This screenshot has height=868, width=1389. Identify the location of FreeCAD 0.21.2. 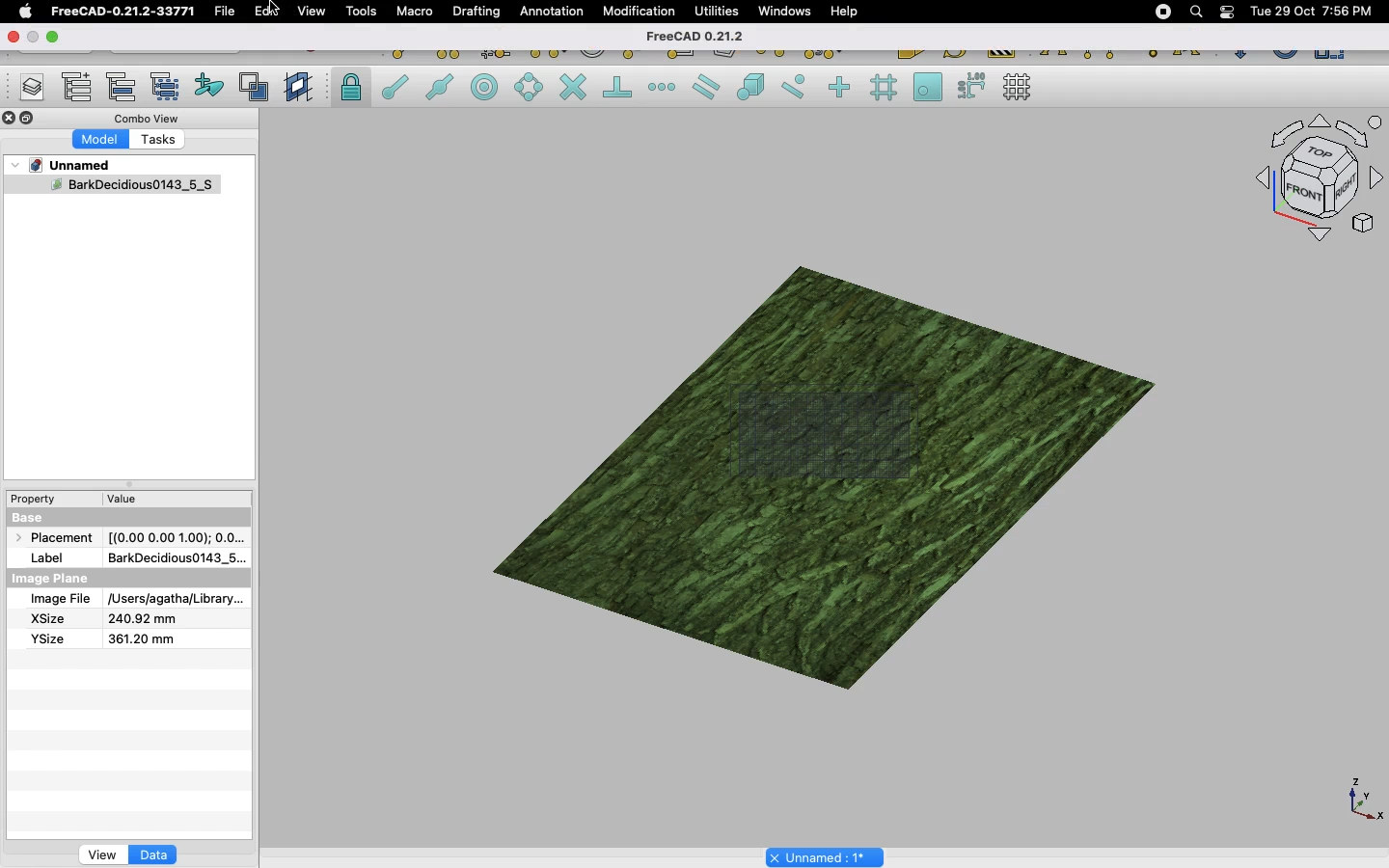
(703, 38).